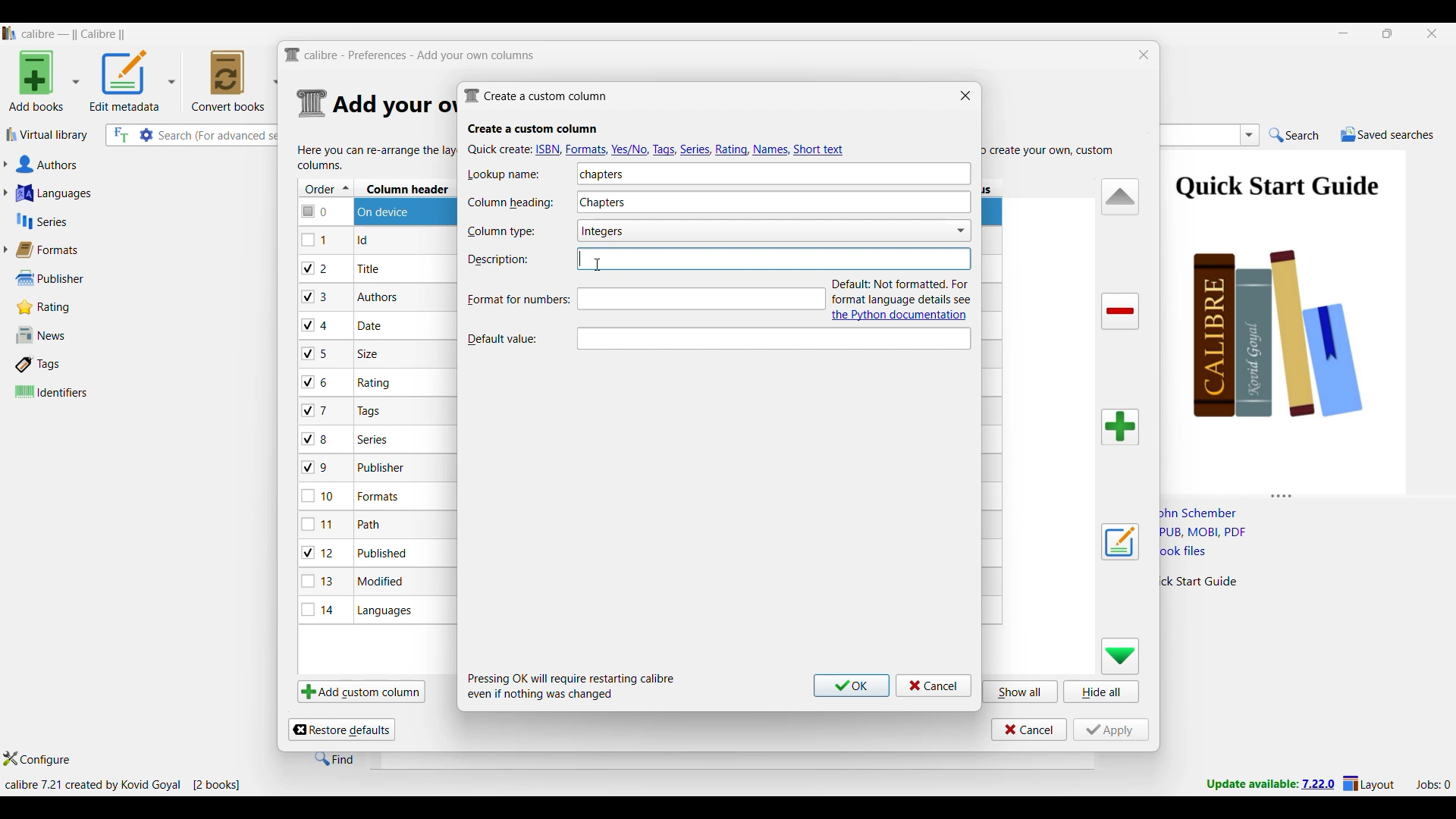  What do you see at coordinates (316, 240) in the screenshot?
I see `checkbox - 1` at bounding box center [316, 240].